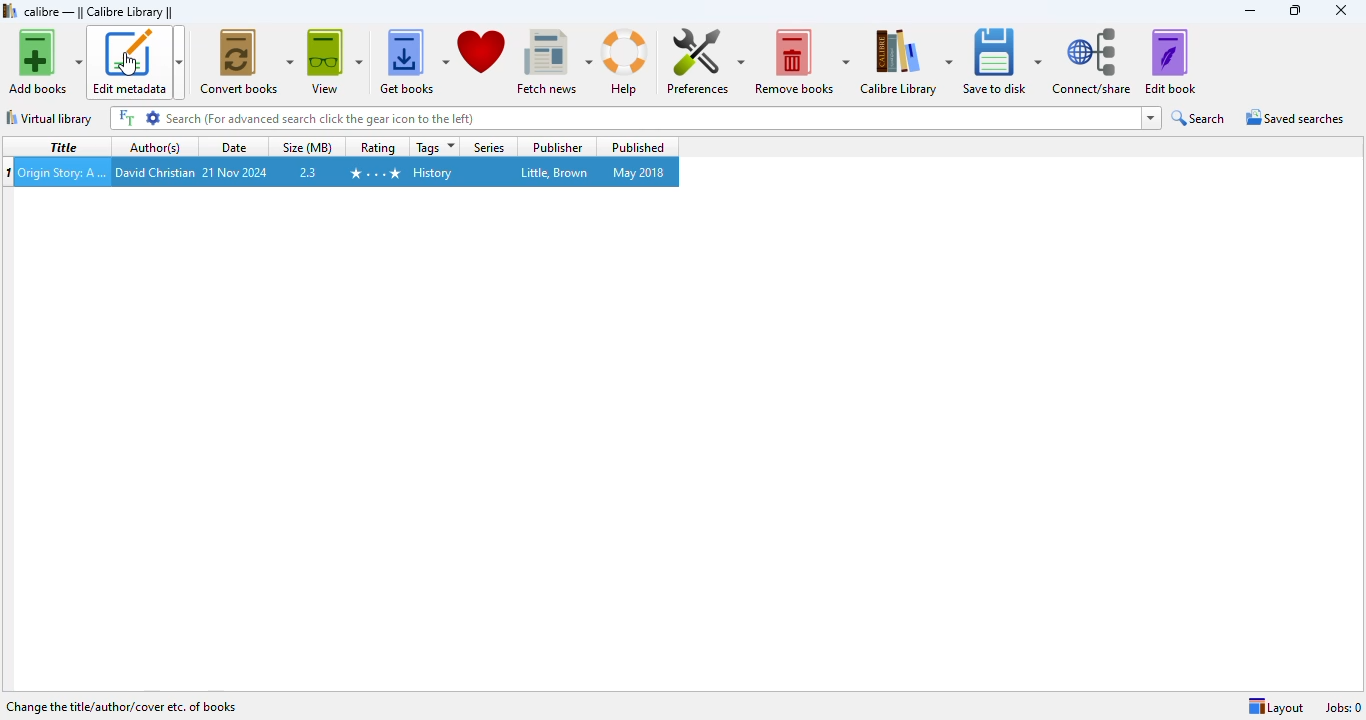 Image resolution: width=1366 pixels, height=720 pixels. I want to click on add books, so click(45, 61).